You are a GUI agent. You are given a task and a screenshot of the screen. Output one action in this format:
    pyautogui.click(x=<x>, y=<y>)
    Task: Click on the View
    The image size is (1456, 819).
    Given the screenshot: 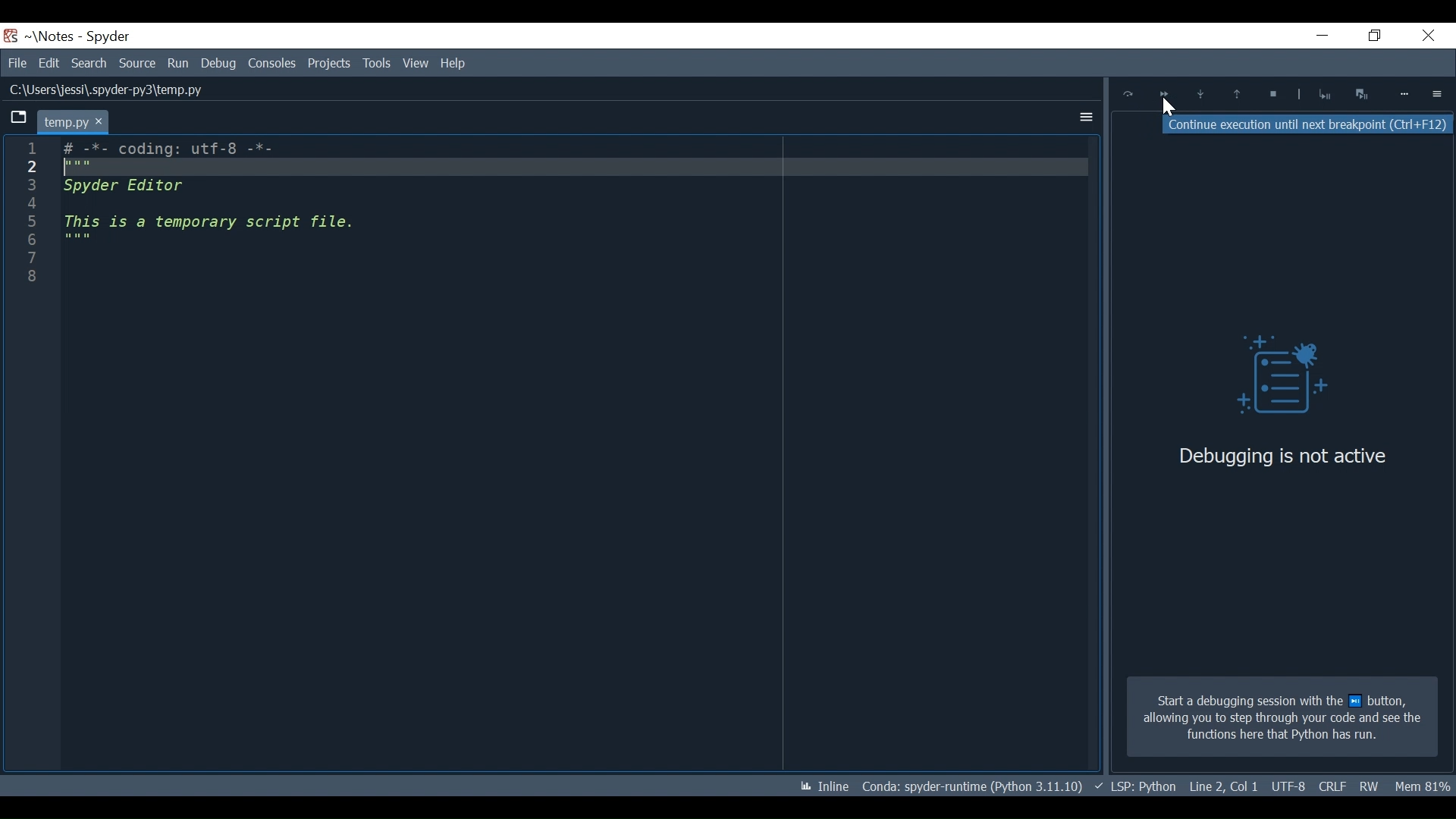 What is the action you would take?
    pyautogui.click(x=376, y=63)
    